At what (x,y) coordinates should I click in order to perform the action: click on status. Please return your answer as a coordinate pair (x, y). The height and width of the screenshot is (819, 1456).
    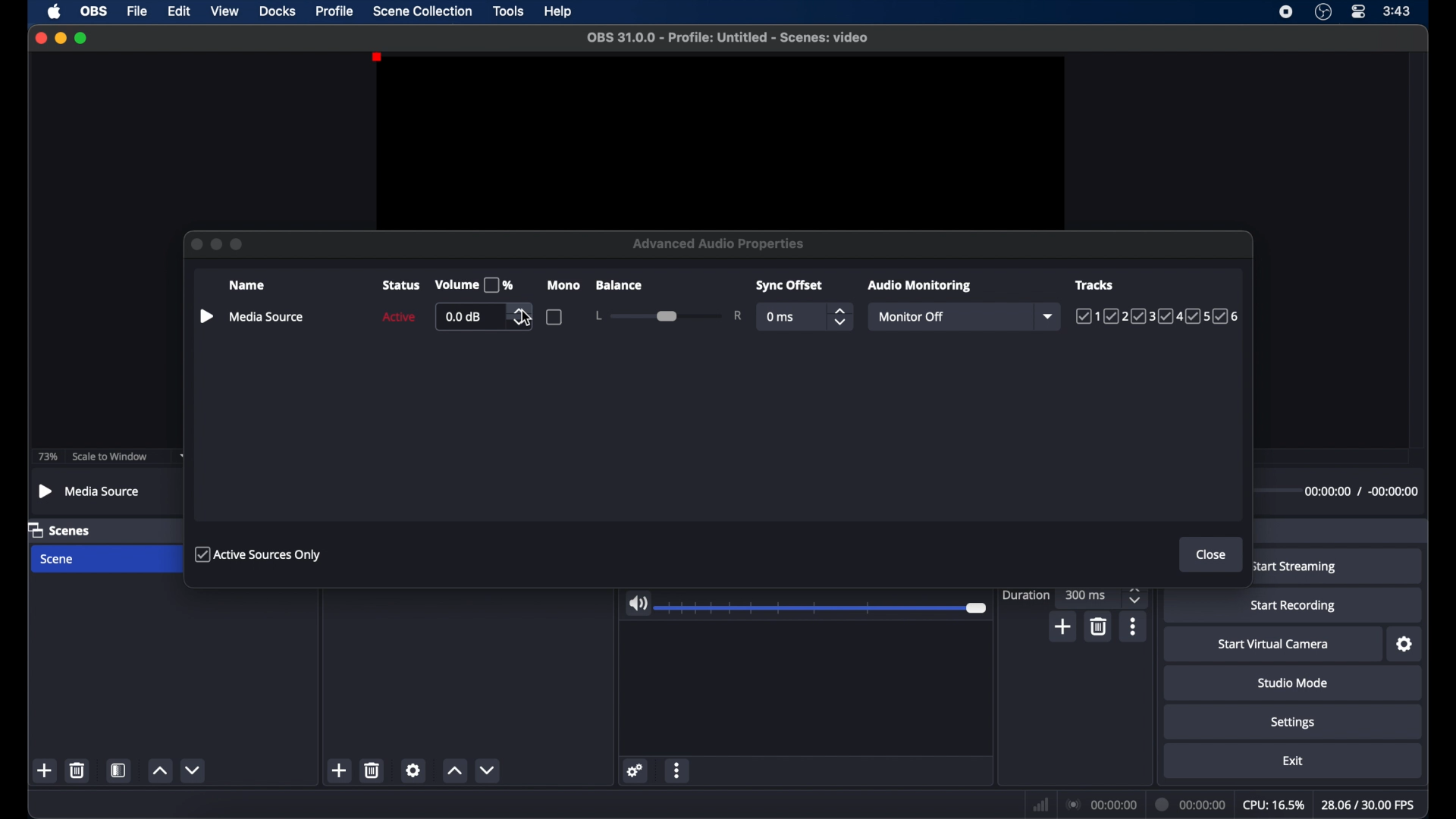
    Looking at the image, I should click on (400, 285).